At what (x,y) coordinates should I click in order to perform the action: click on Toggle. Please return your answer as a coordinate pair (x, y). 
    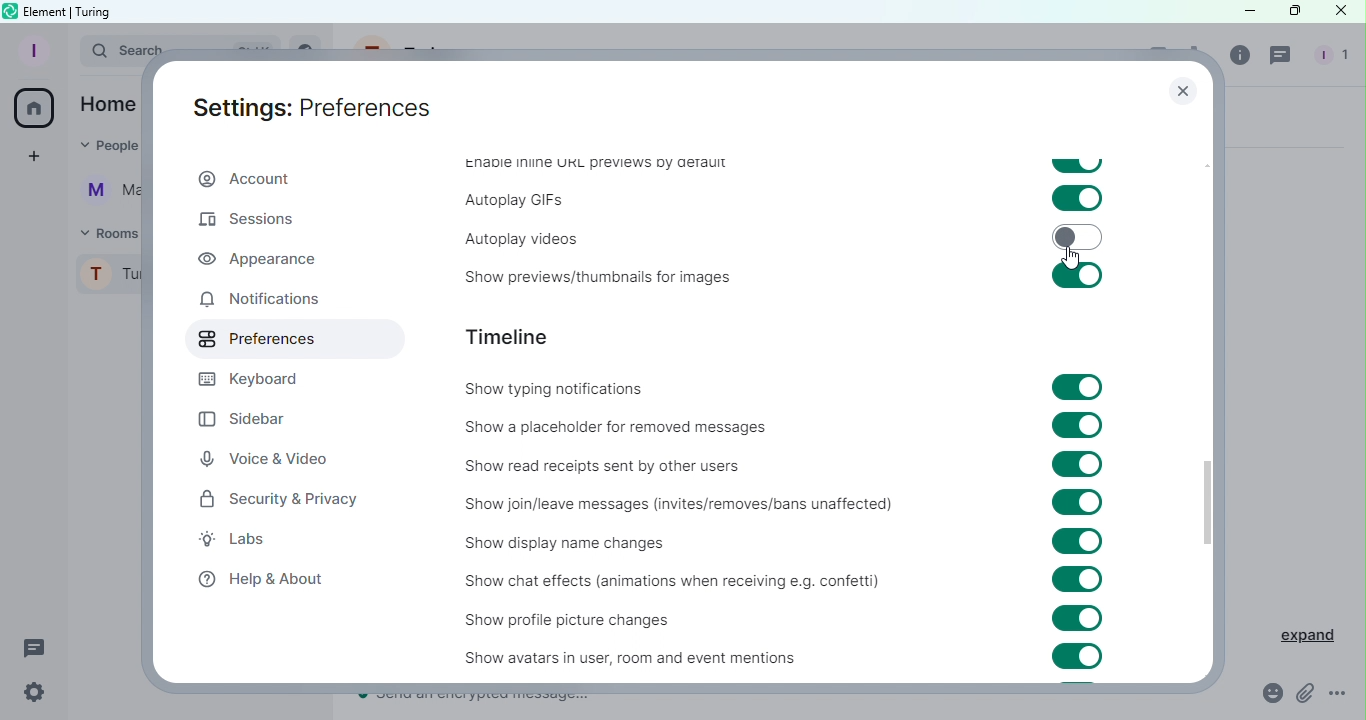
    Looking at the image, I should click on (1079, 386).